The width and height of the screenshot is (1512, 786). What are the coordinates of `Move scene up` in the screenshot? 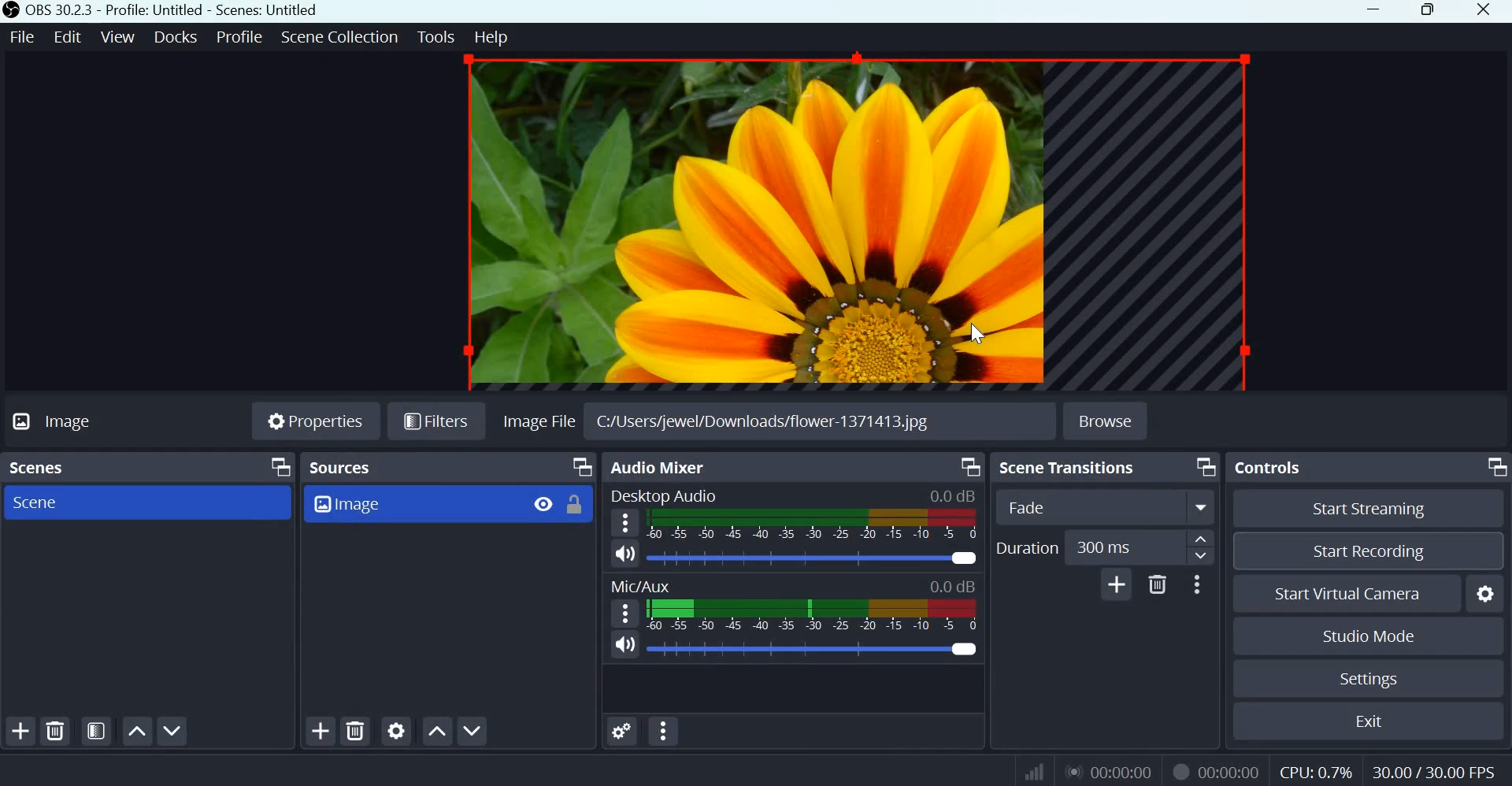 It's located at (138, 731).